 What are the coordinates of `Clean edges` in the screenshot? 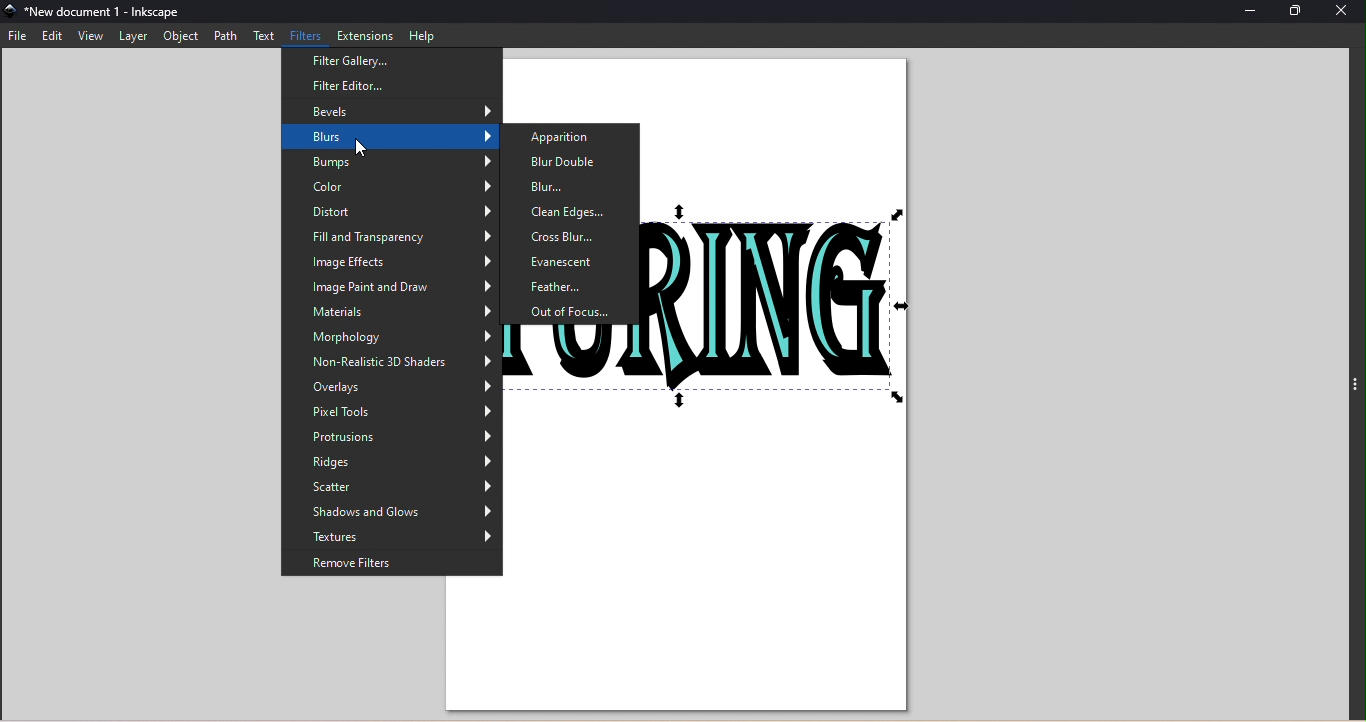 It's located at (566, 211).